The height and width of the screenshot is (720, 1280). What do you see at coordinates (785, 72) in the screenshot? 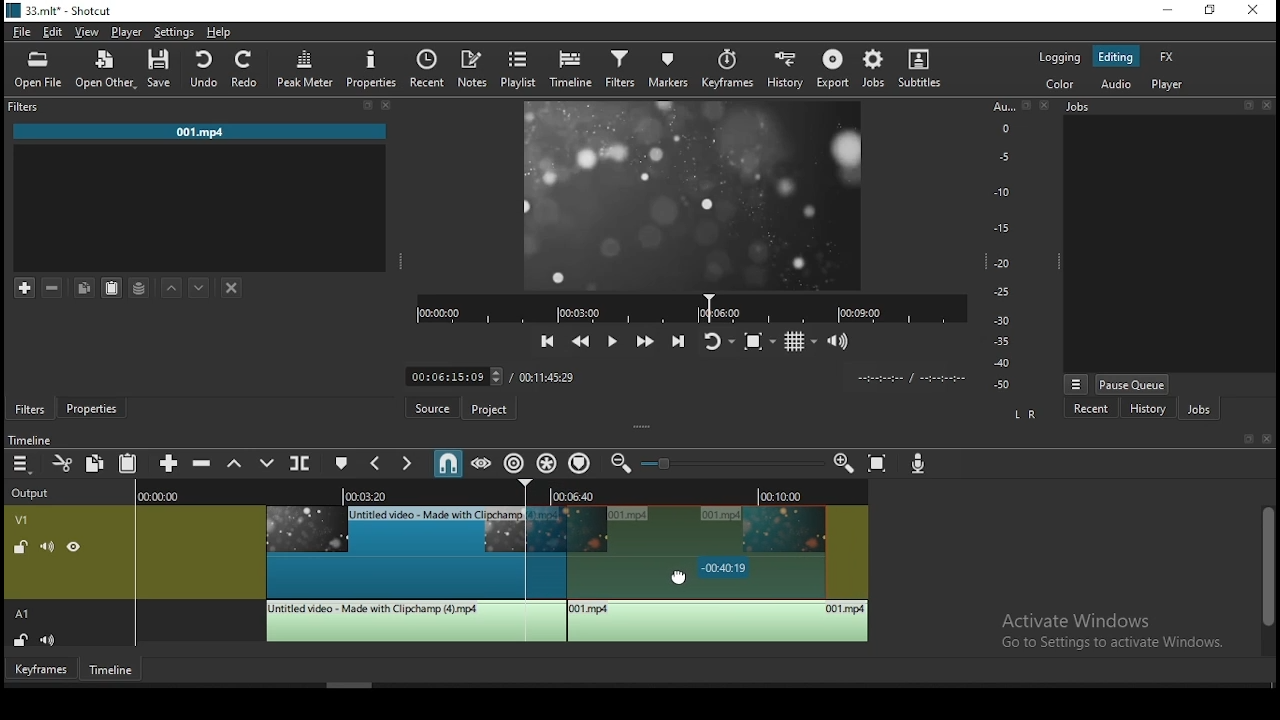
I see `history` at bounding box center [785, 72].